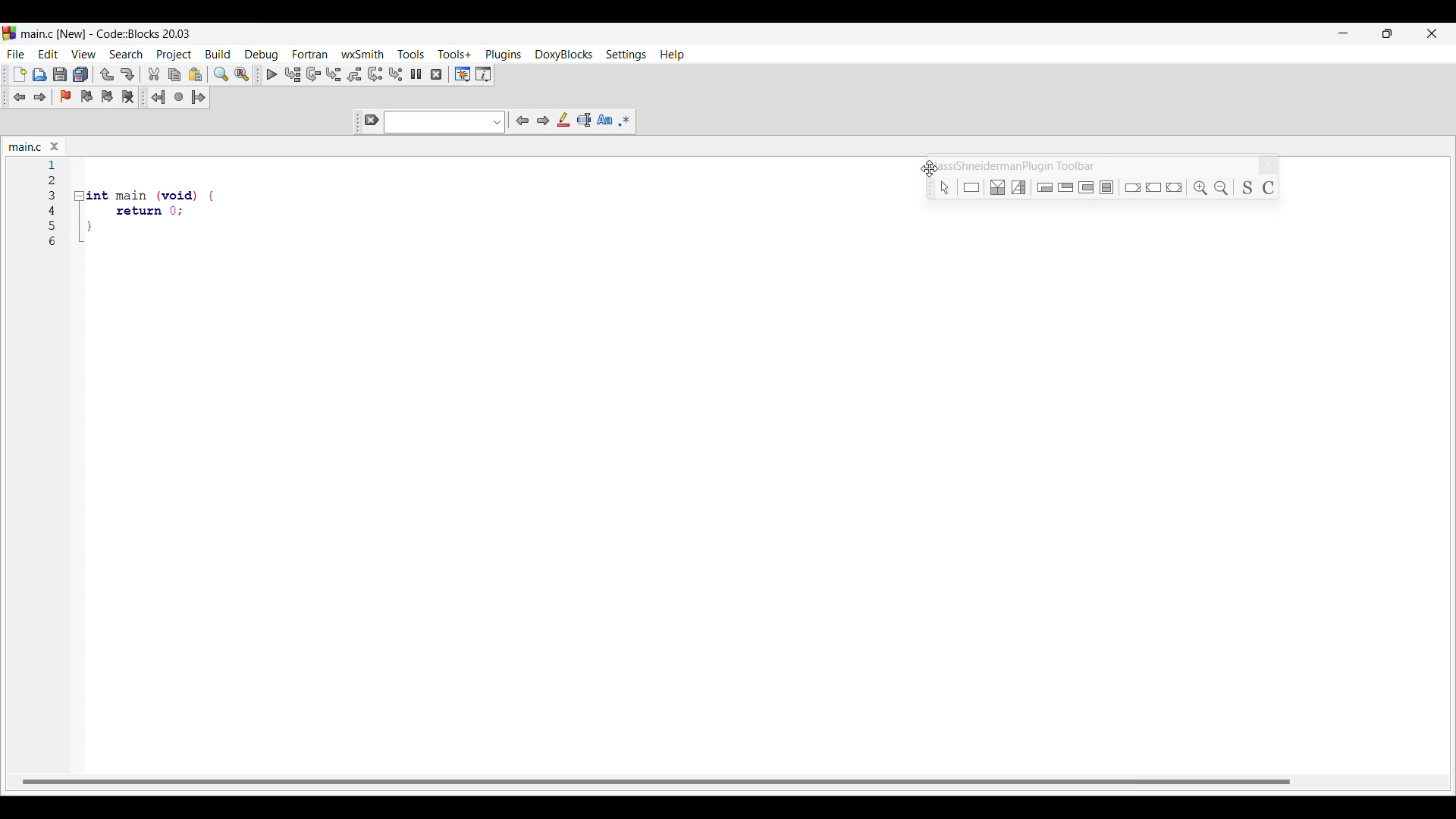 This screenshot has height=819, width=1456. Describe the element at coordinates (1432, 33) in the screenshot. I see `Close interface` at that location.